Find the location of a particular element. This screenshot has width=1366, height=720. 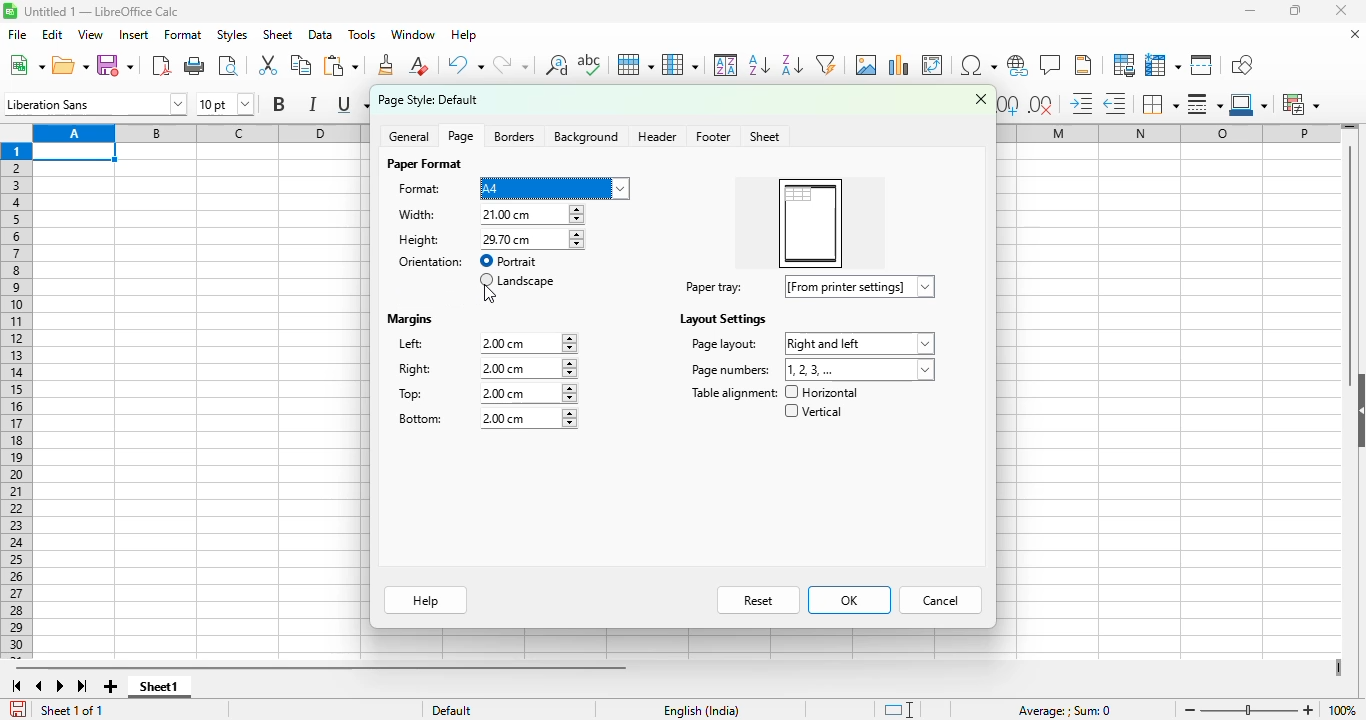

bold is located at coordinates (279, 103).